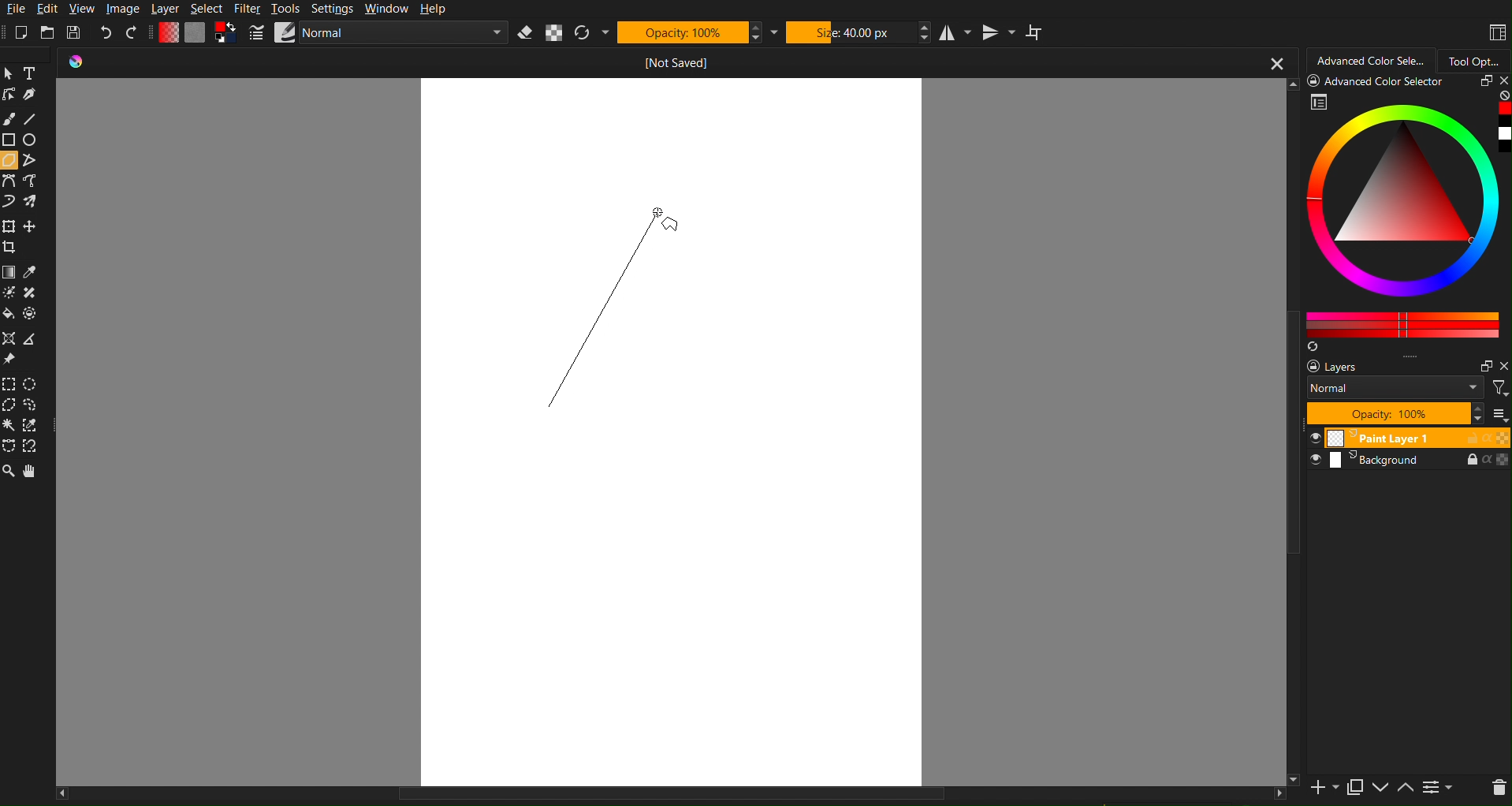  What do you see at coordinates (9, 73) in the screenshot?
I see `Pointer` at bounding box center [9, 73].